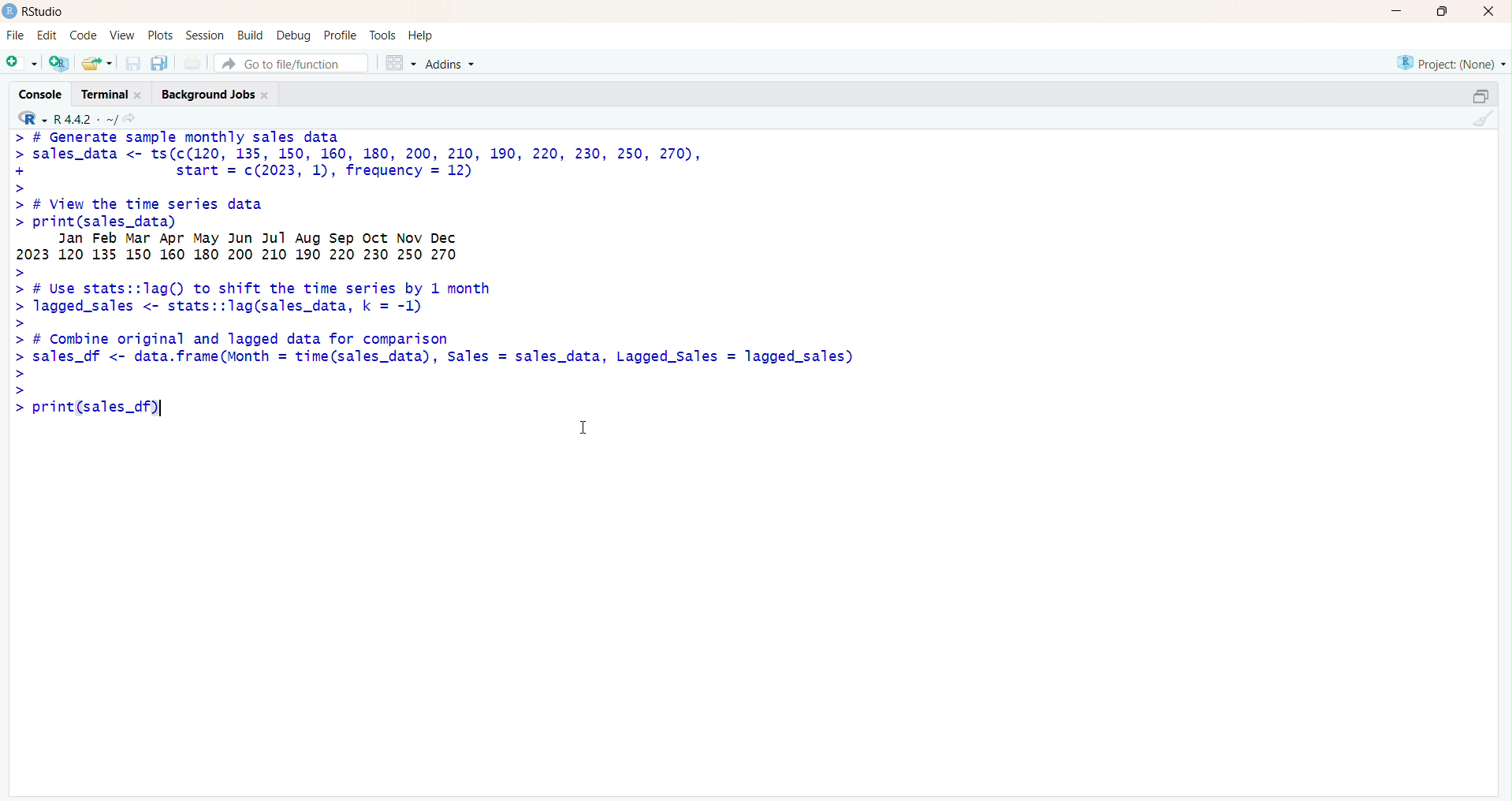  Describe the element at coordinates (294, 35) in the screenshot. I see `debug` at that location.